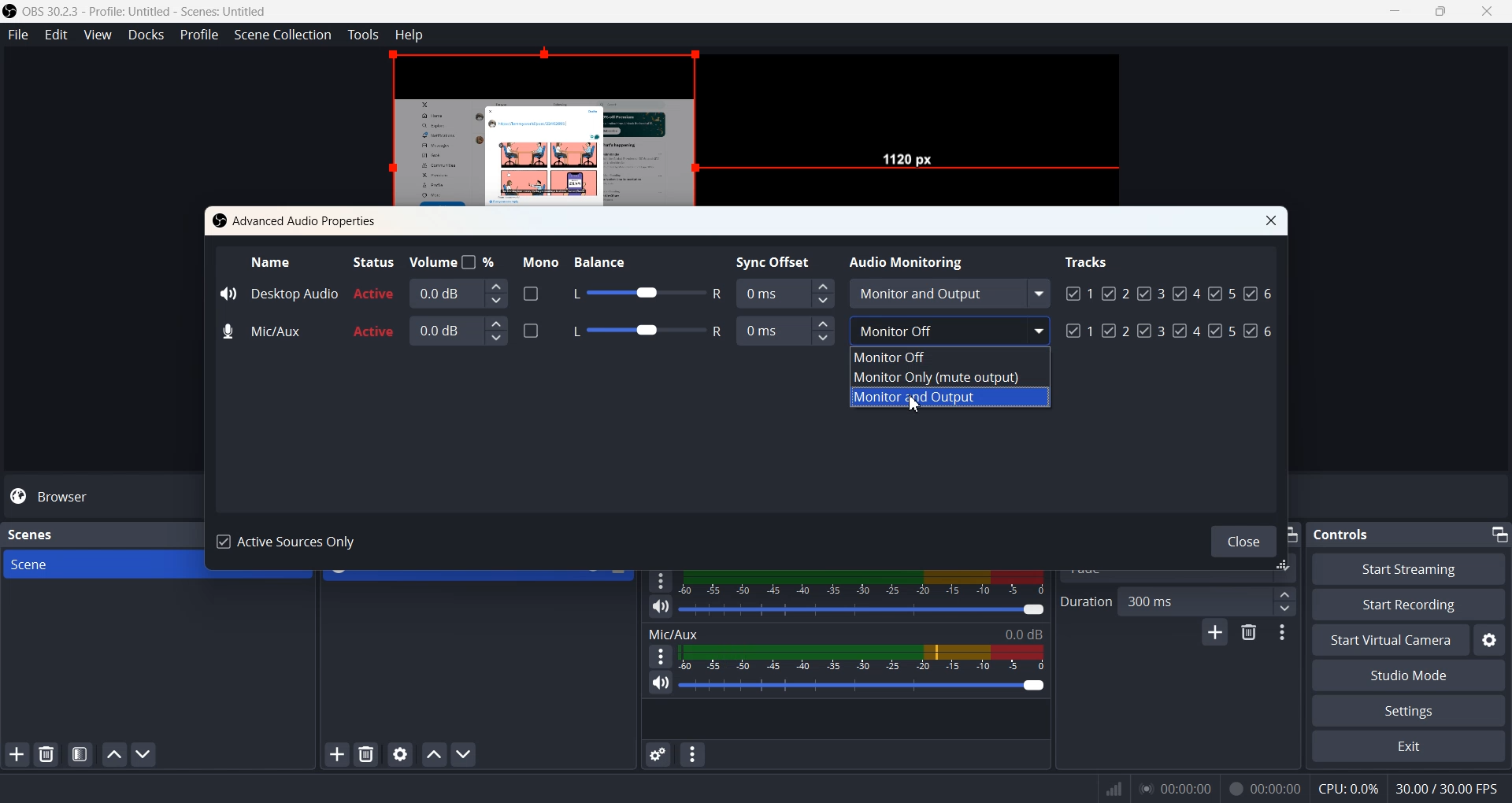 This screenshot has width=1512, height=803. What do you see at coordinates (30, 533) in the screenshot?
I see `Scenes` at bounding box center [30, 533].